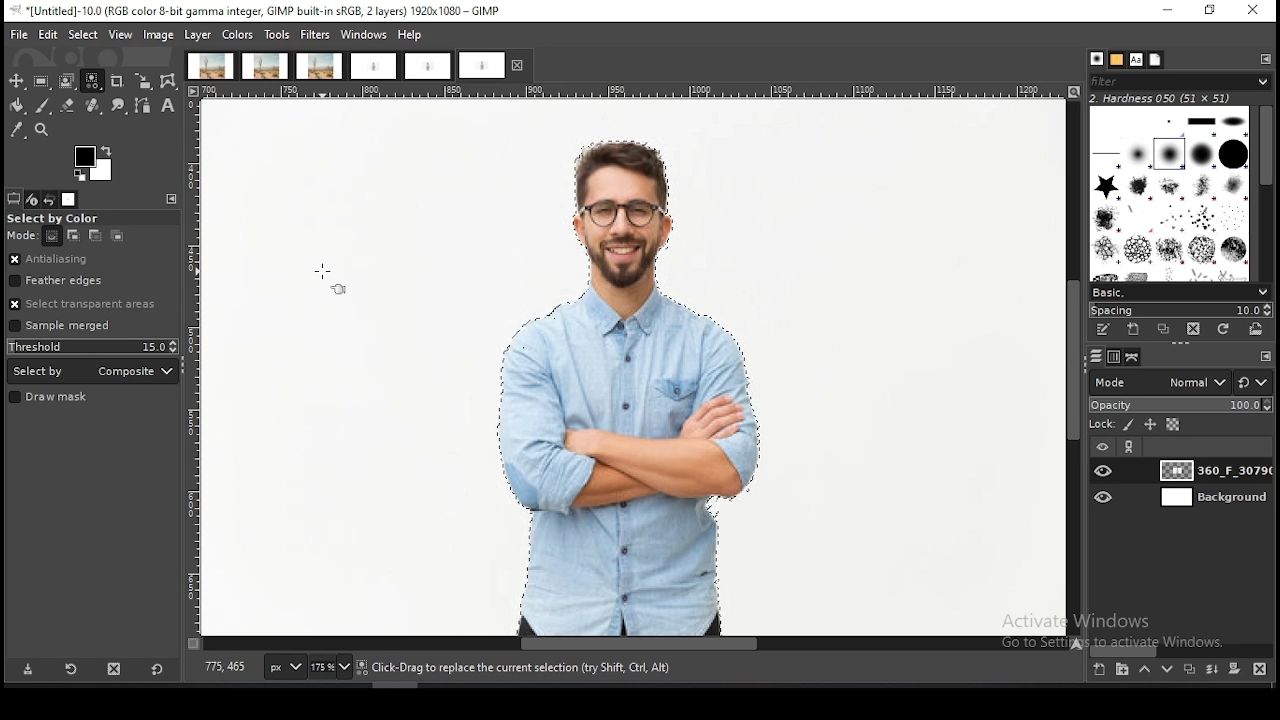 This screenshot has height=720, width=1280. Describe the element at coordinates (1116, 357) in the screenshot. I see `channels` at that location.